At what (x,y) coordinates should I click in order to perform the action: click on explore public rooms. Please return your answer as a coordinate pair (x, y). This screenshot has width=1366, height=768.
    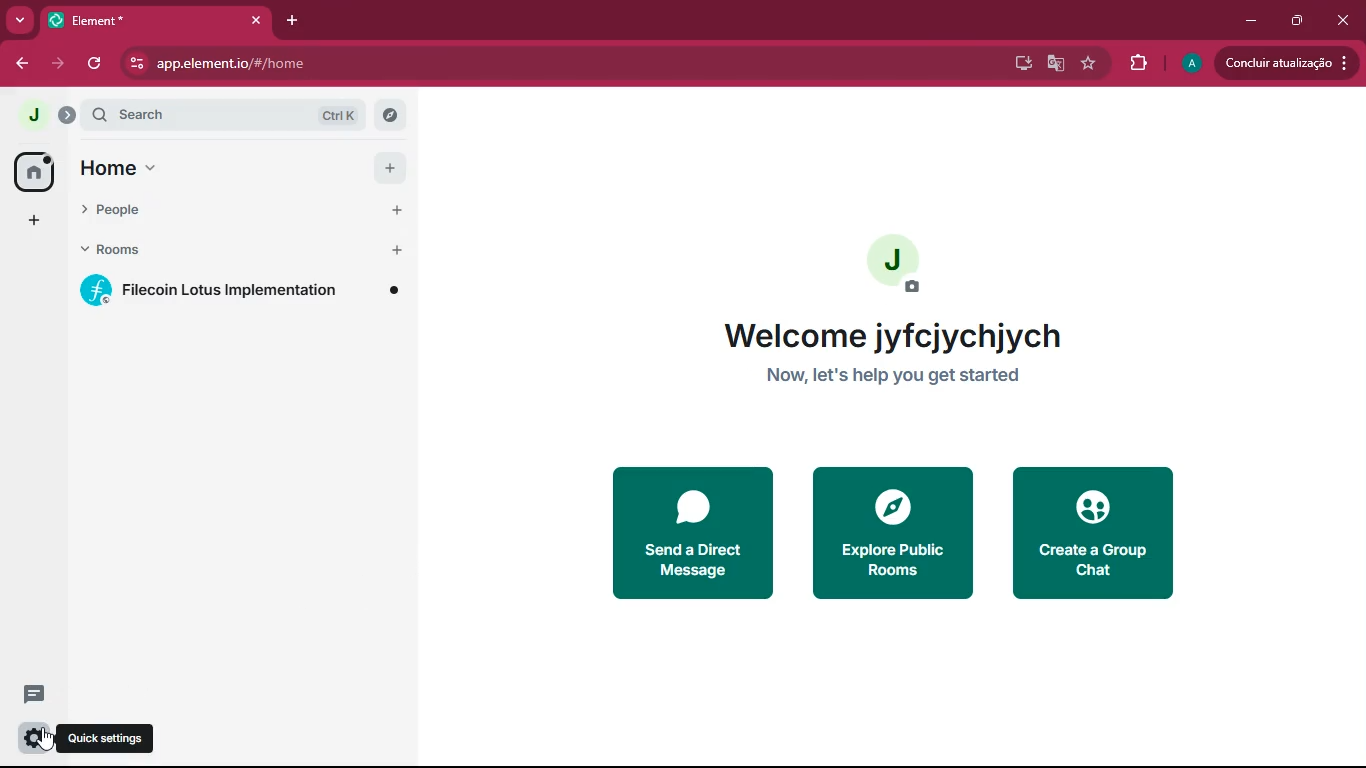
    Looking at the image, I should click on (893, 533).